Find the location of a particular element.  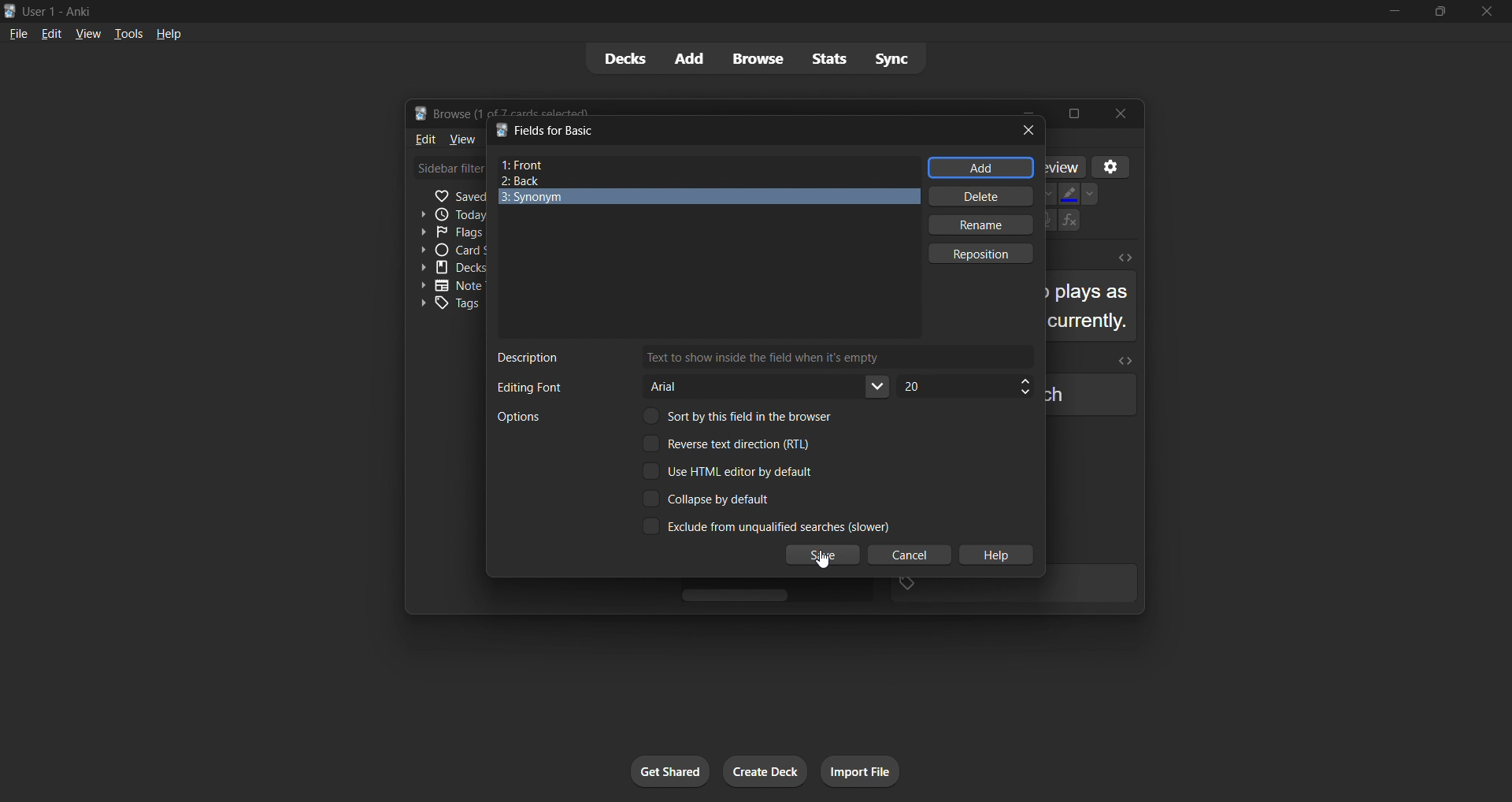

create deck is located at coordinates (768, 771).